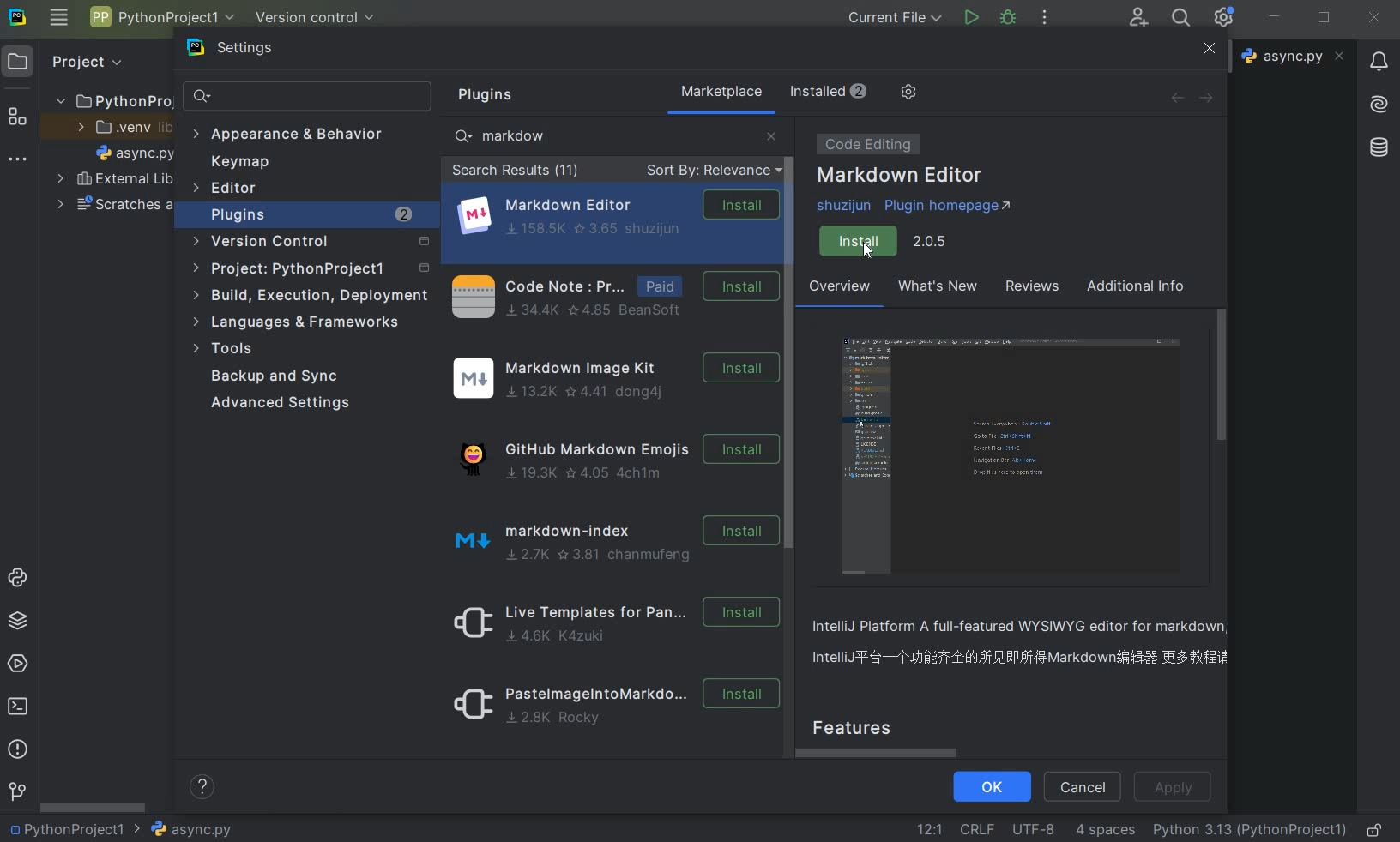  I want to click on python console, so click(19, 580).